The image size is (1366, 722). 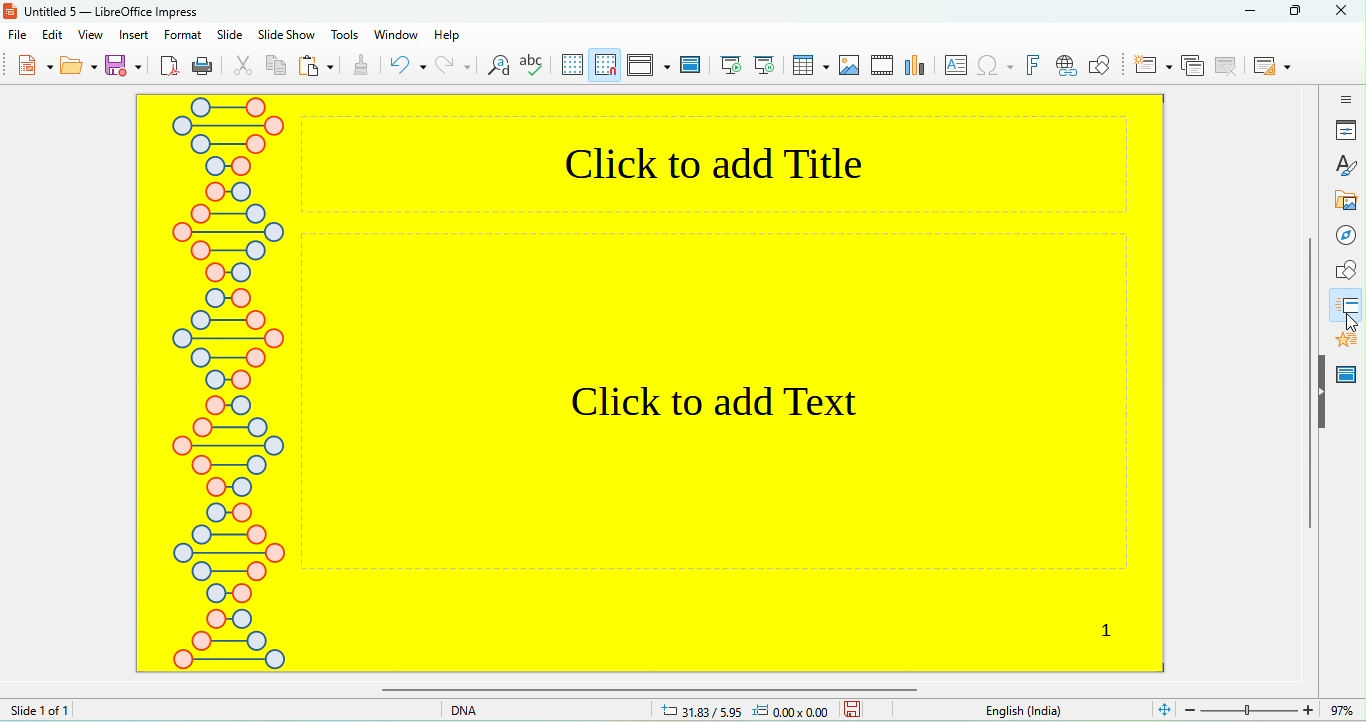 What do you see at coordinates (644, 67) in the screenshot?
I see `display view` at bounding box center [644, 67].